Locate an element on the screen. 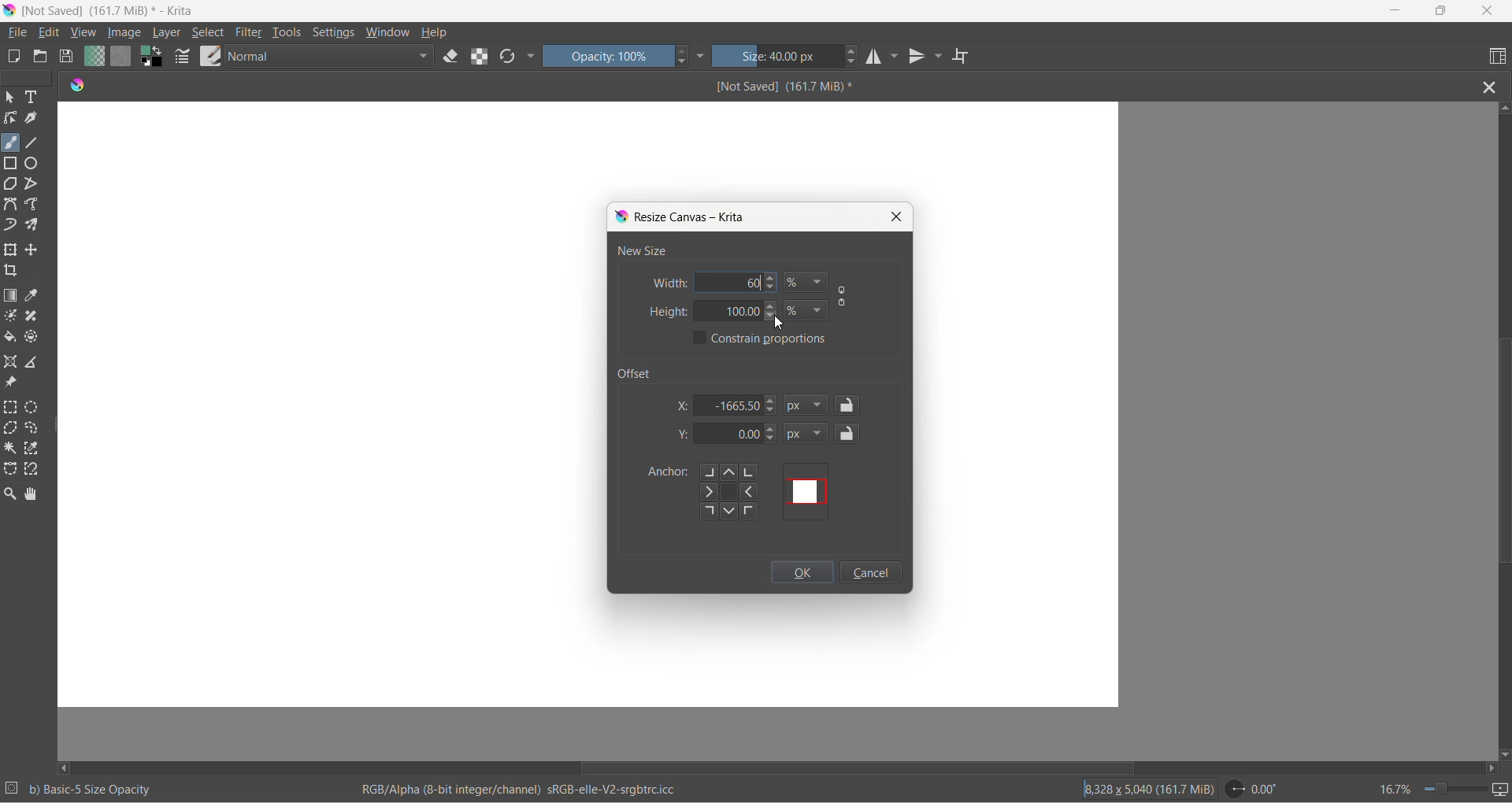  brush settings is located at coordinates (183, 60).